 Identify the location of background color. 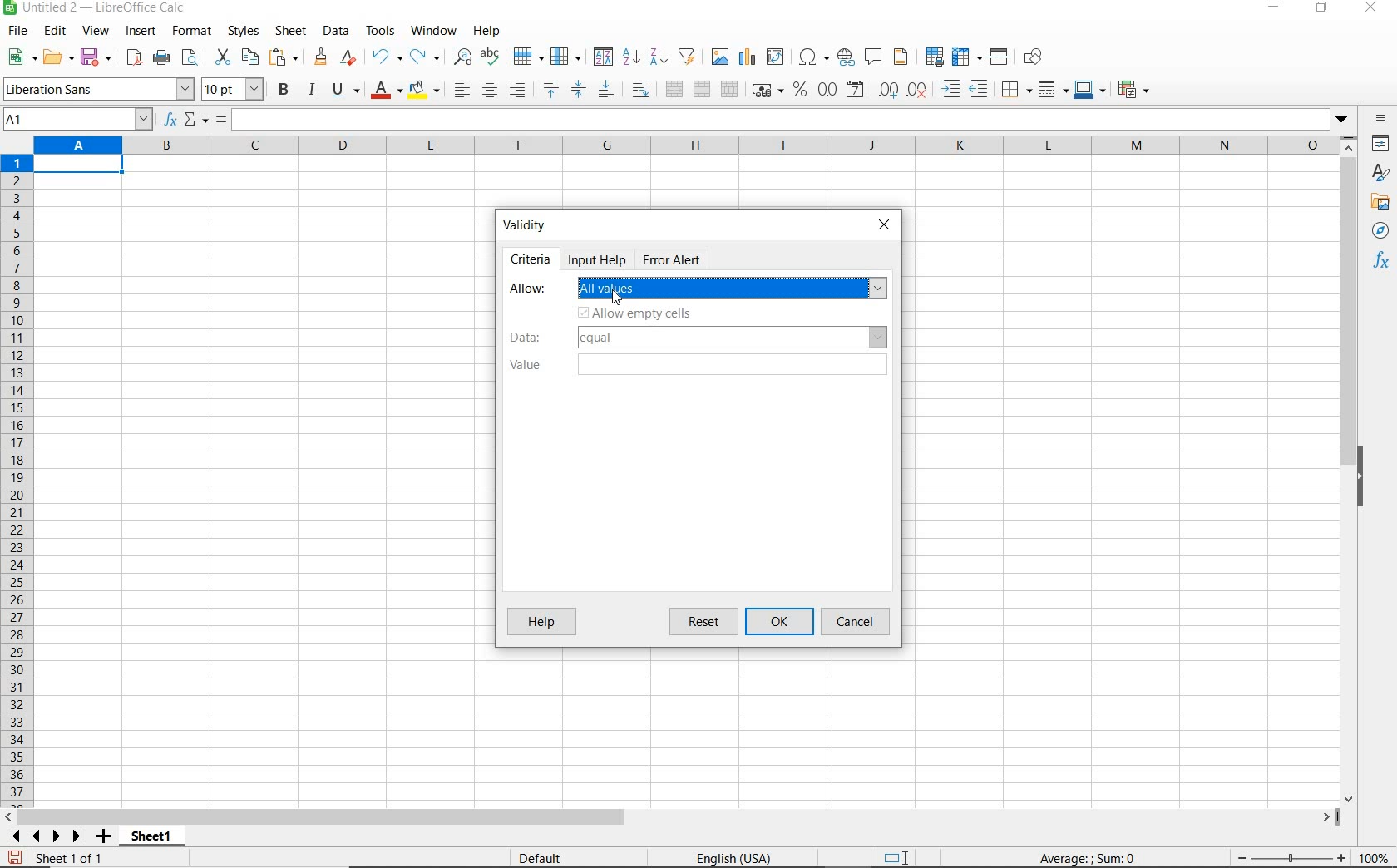
(423, 91).